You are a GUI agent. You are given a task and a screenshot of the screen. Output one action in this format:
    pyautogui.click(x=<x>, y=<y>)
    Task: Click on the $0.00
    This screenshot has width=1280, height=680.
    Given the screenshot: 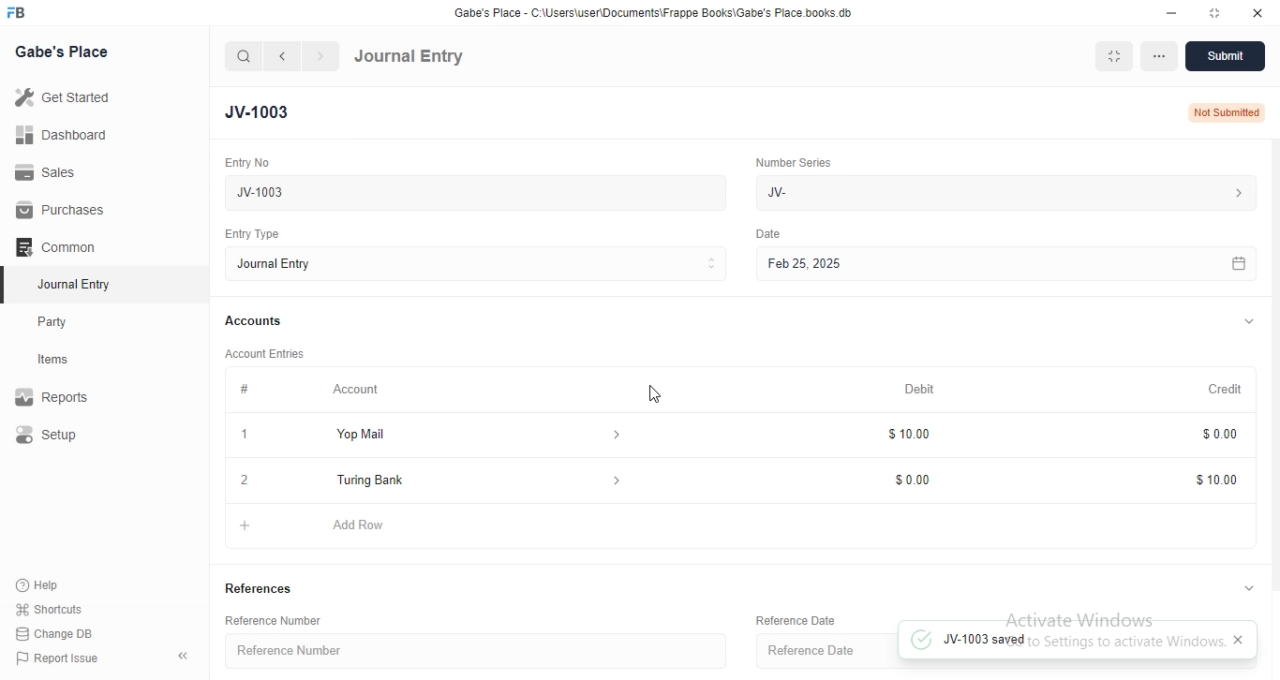 What is the action you would take?
    pyautogui.click(x=1210, y=434)
    